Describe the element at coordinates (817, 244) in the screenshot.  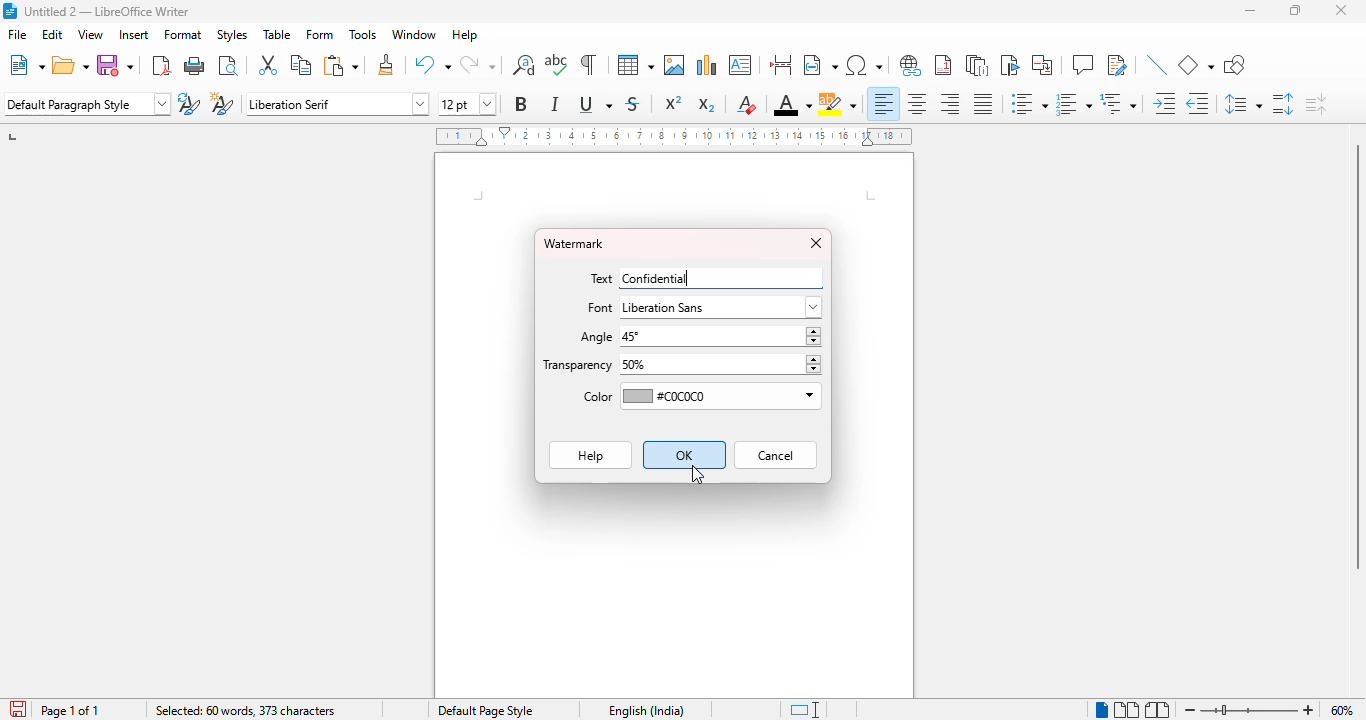
I see `close` at that location.